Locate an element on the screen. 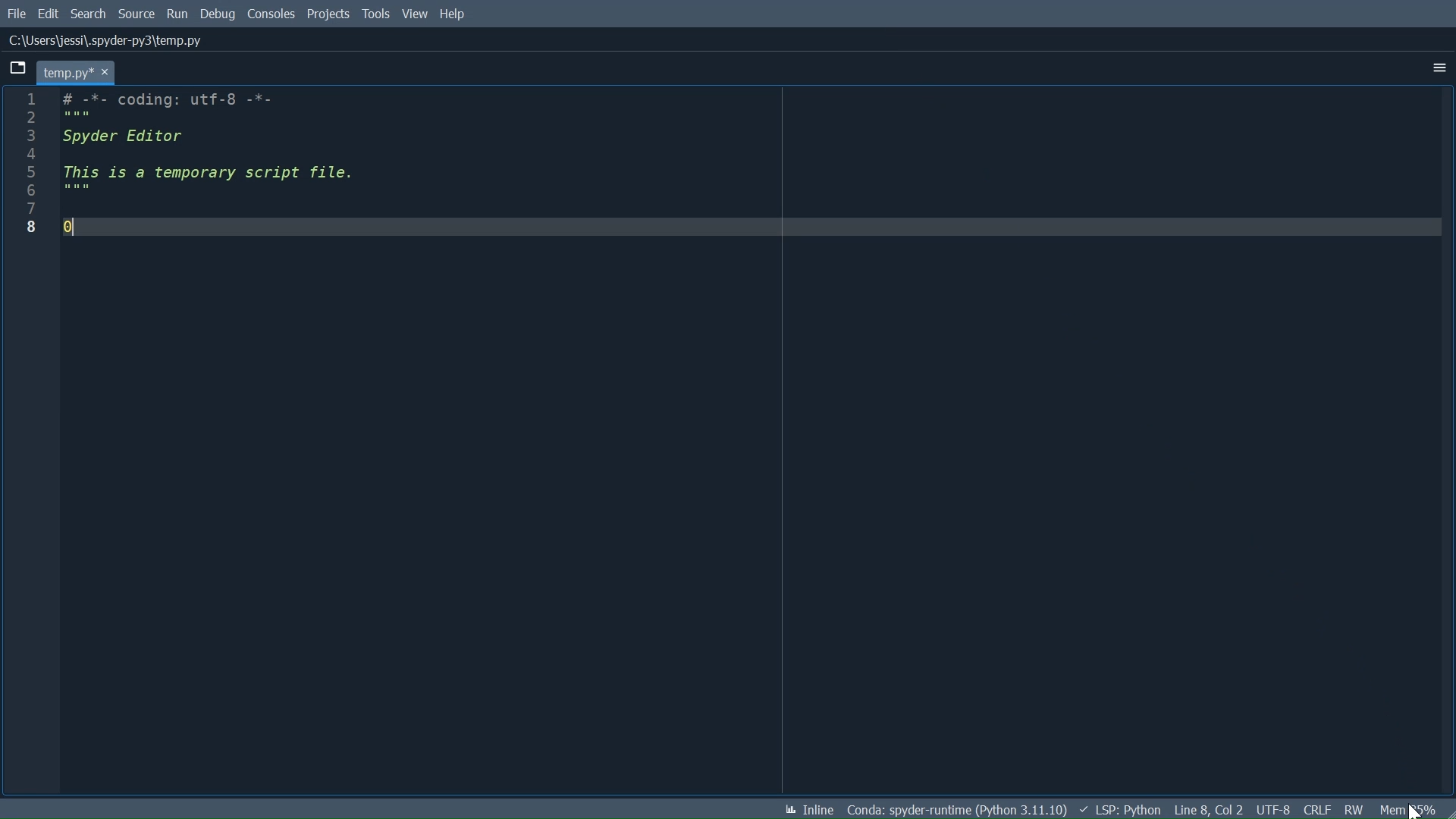 The height and width of the screenshot is (819, 1456). Conda Environment Indicator is located at coordinates (956, 810).